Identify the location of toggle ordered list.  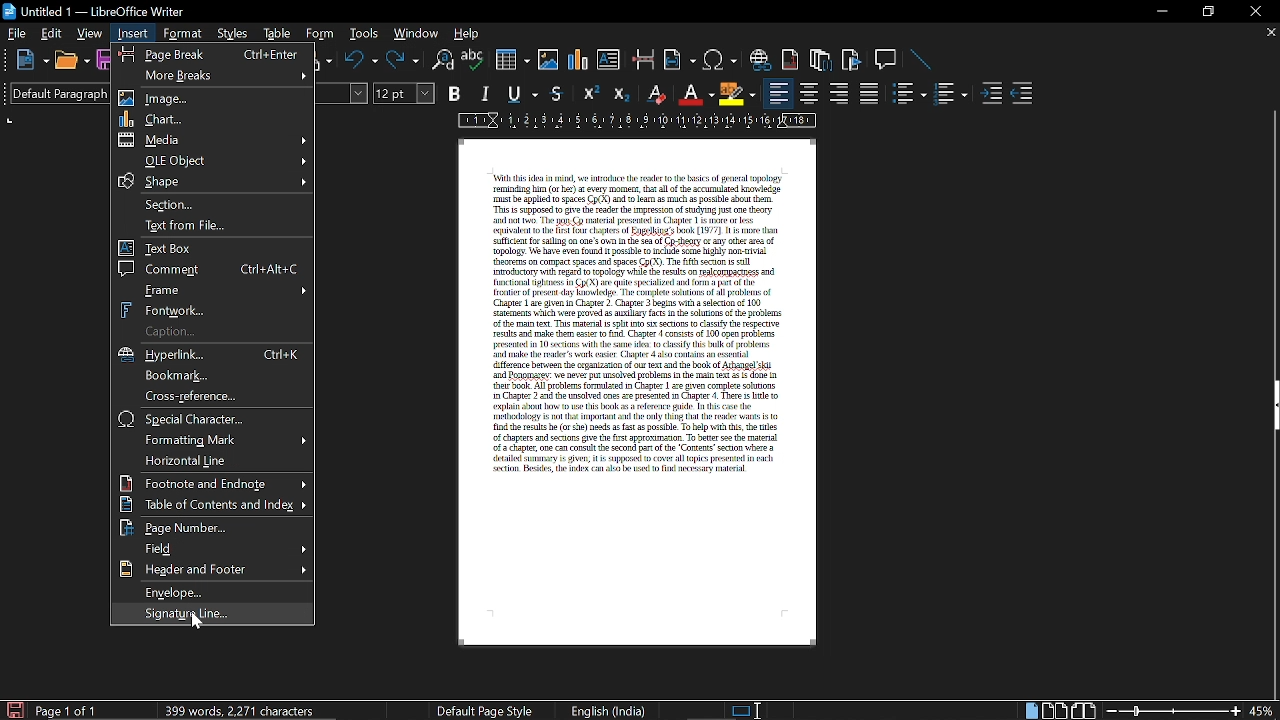
(953, 94).